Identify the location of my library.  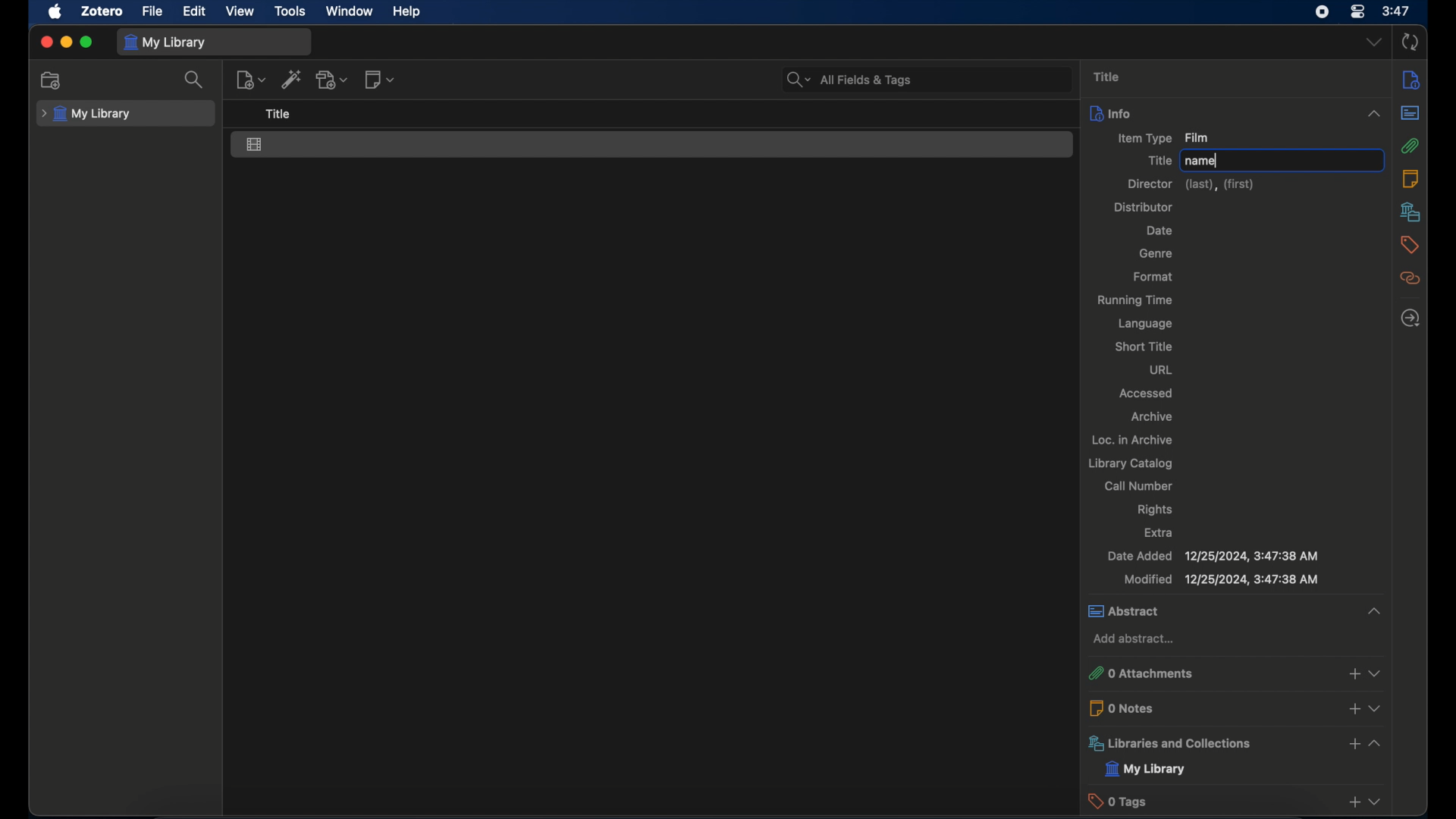
(1146, 769).